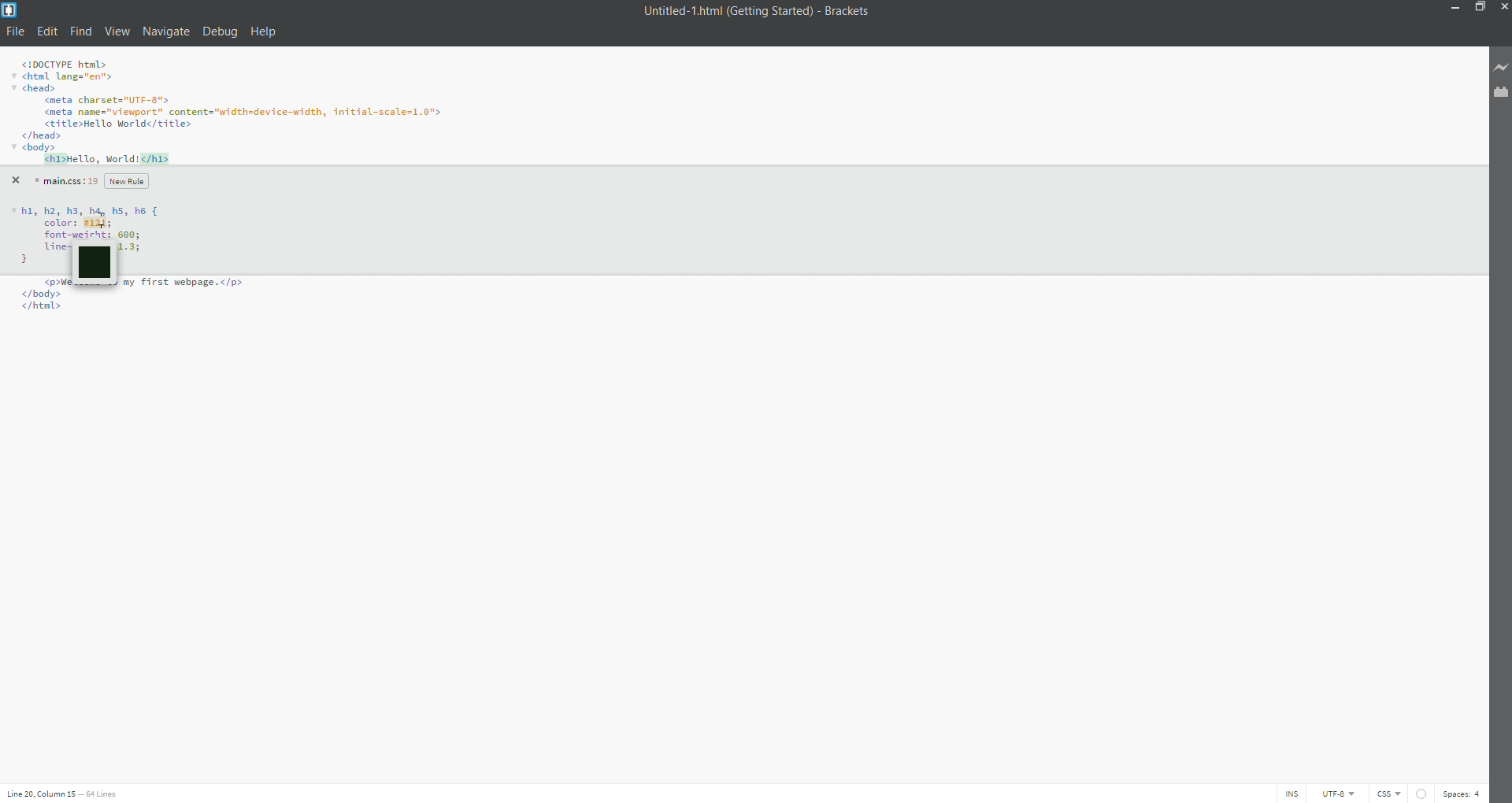  Describe the element at coordinates (752, 12) in the screenshot. I see `title` at that location.